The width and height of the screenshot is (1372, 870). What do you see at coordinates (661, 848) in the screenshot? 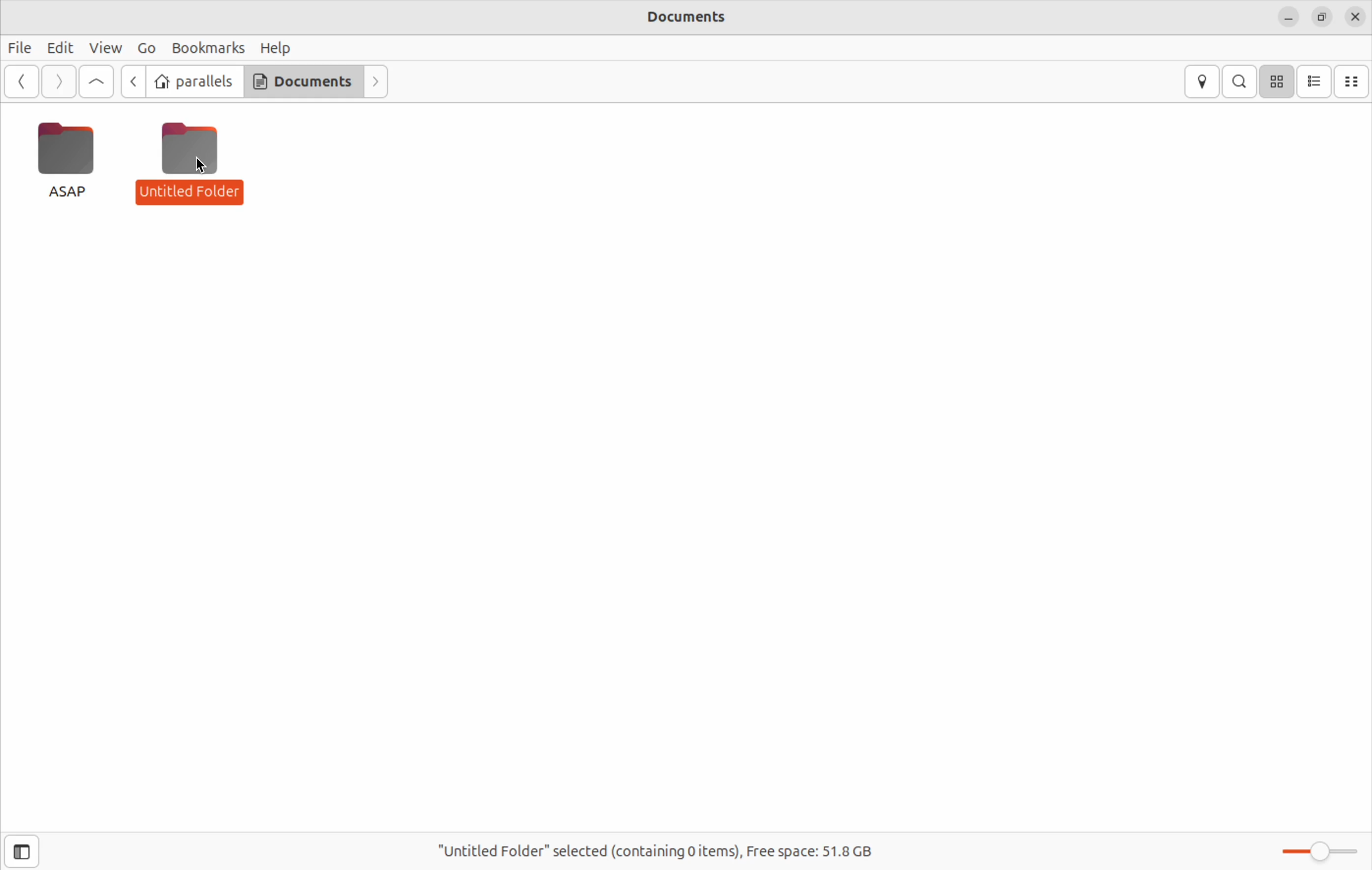
I see `"Untitled Folder" selected(containing 0 items), Free space: 51.8 GB` at bounding box center [661, 848].